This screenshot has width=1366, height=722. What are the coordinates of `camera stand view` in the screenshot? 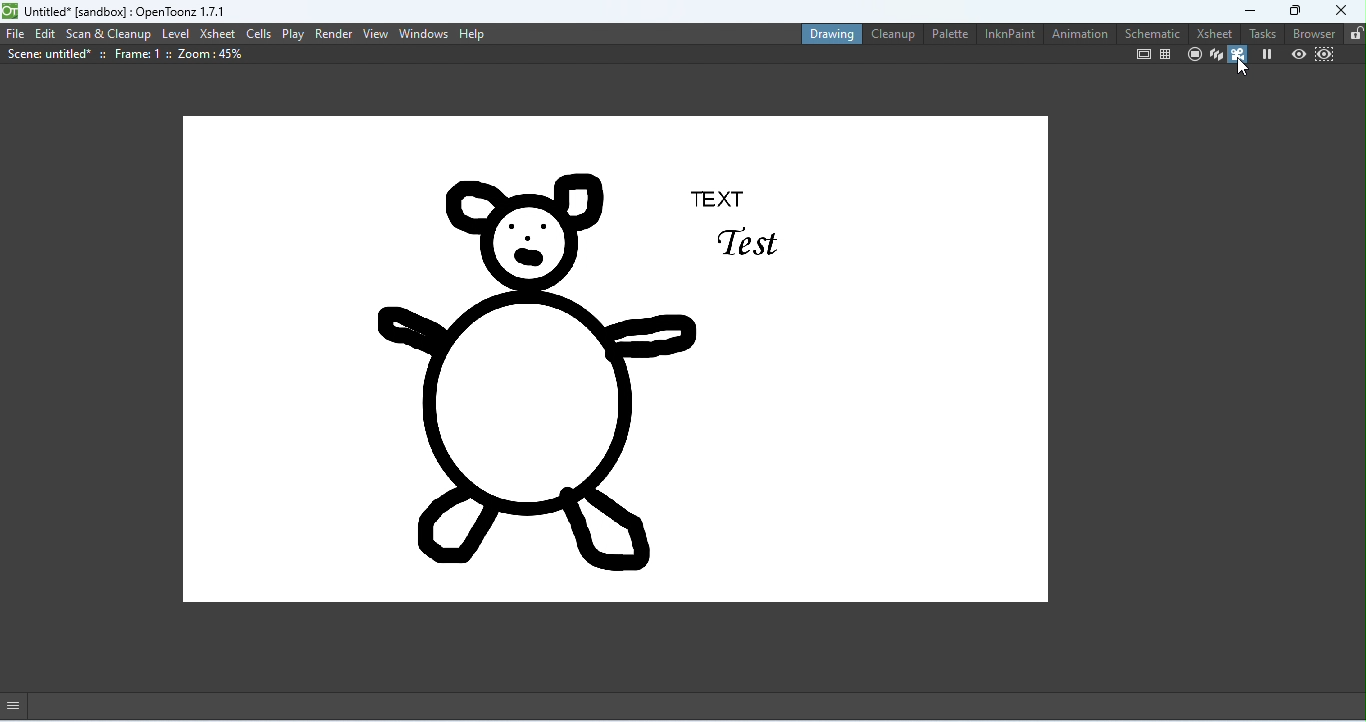 It's located at (1191, 55).